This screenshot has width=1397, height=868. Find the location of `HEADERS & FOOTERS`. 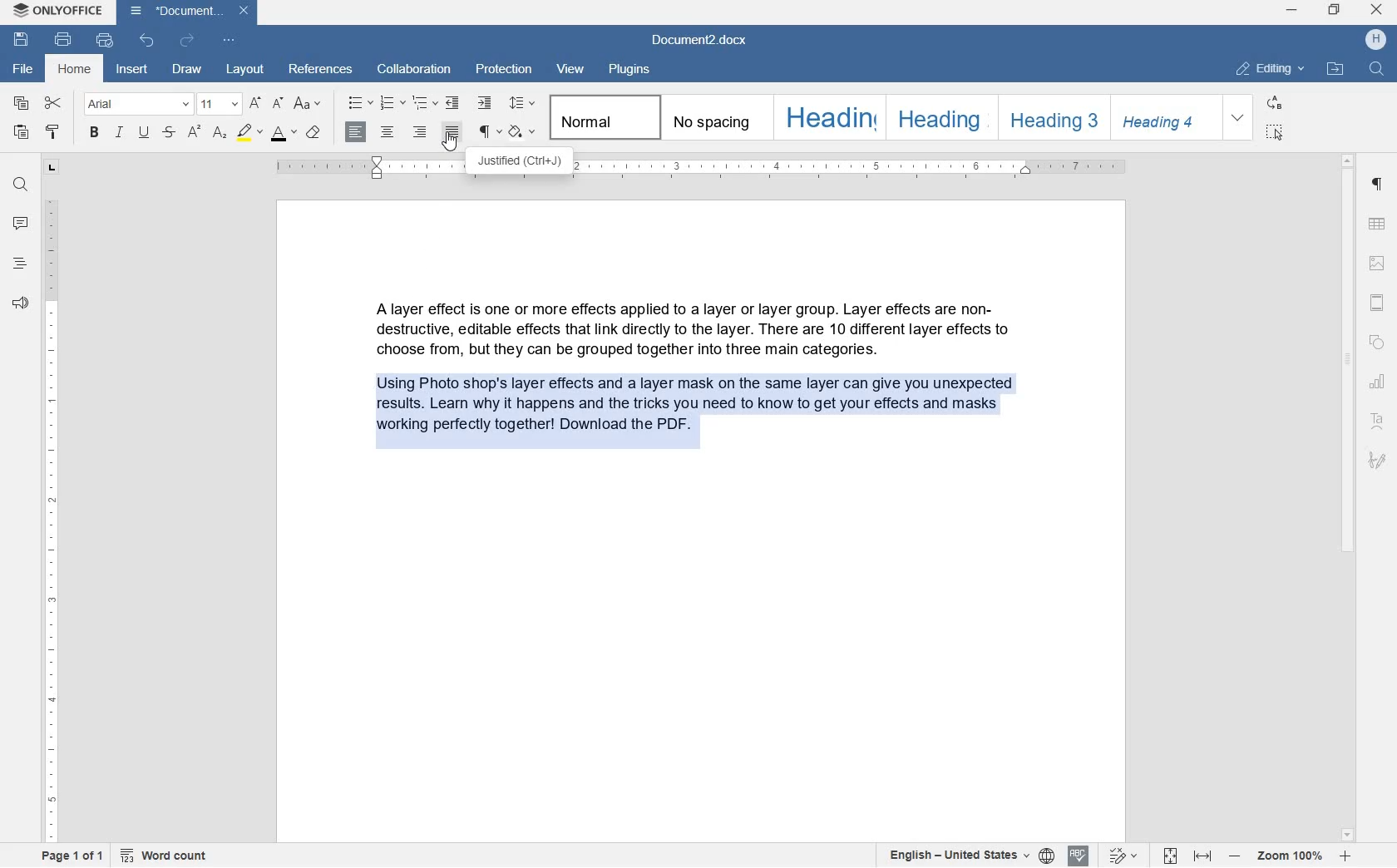

HEADERS & FOOTERS is located at coordinates (1378, 305).